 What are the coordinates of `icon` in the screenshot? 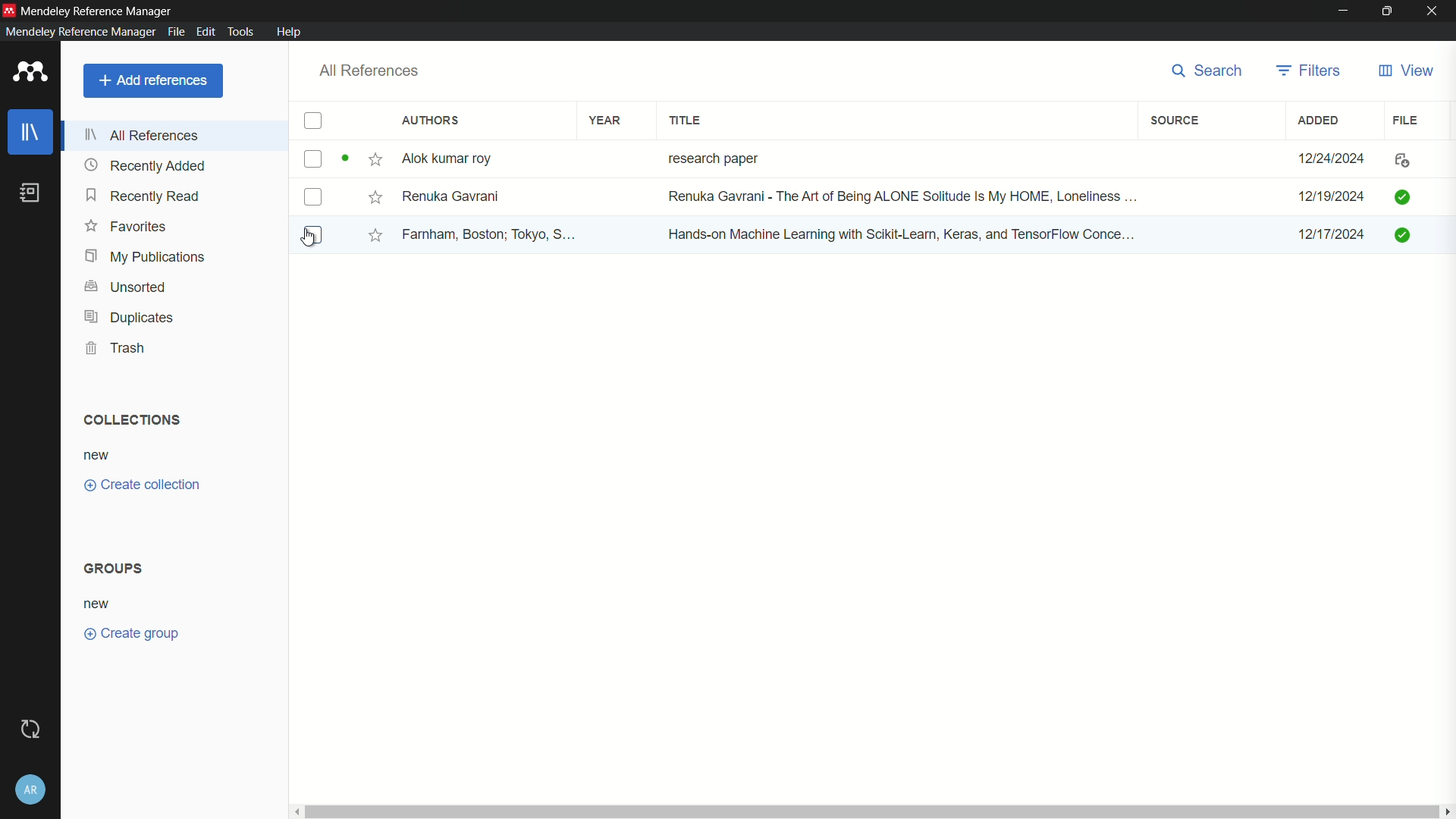 It's located at (1401, 197).